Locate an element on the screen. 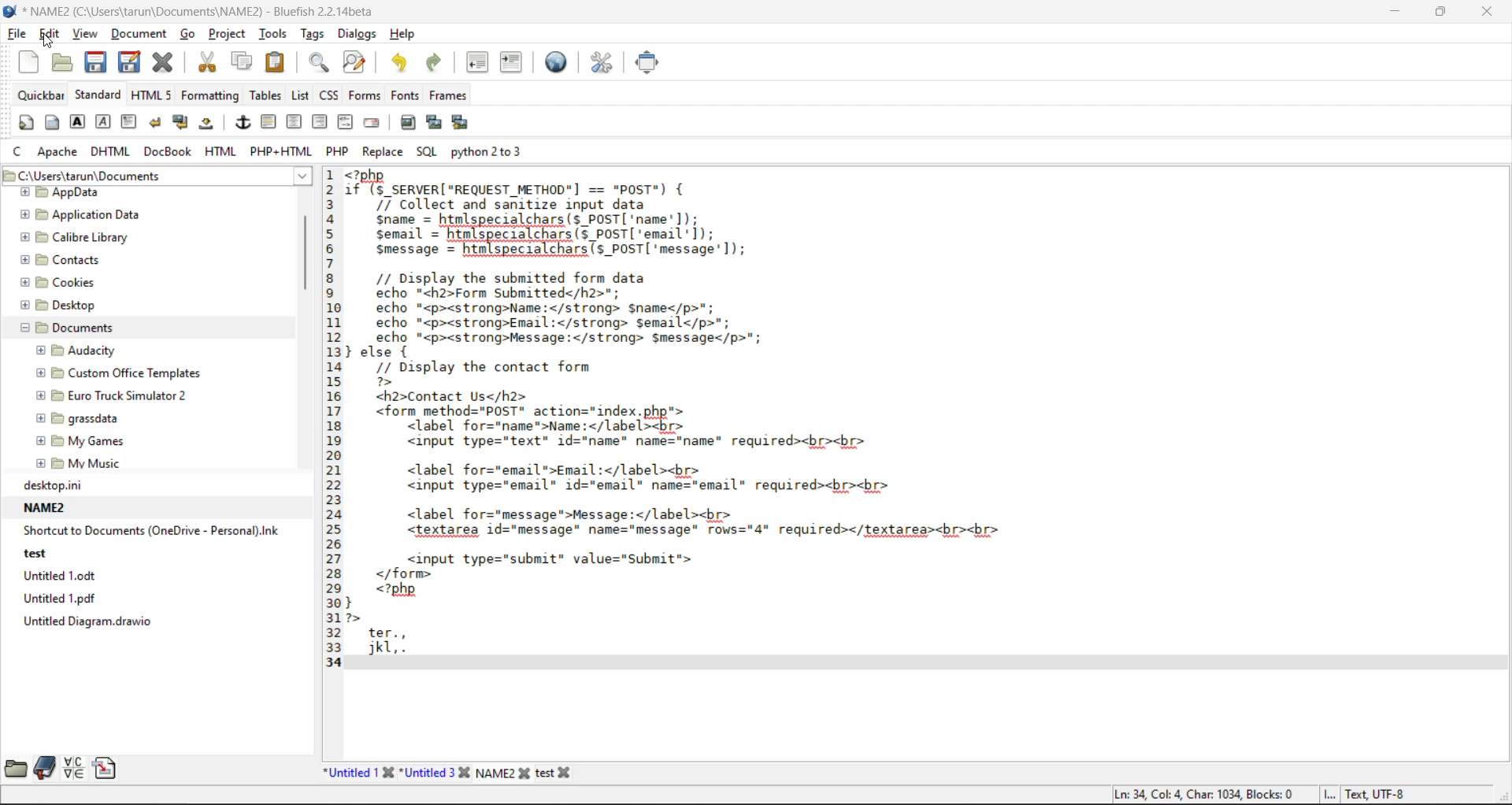  code editor is located at coordinates (694, 415).